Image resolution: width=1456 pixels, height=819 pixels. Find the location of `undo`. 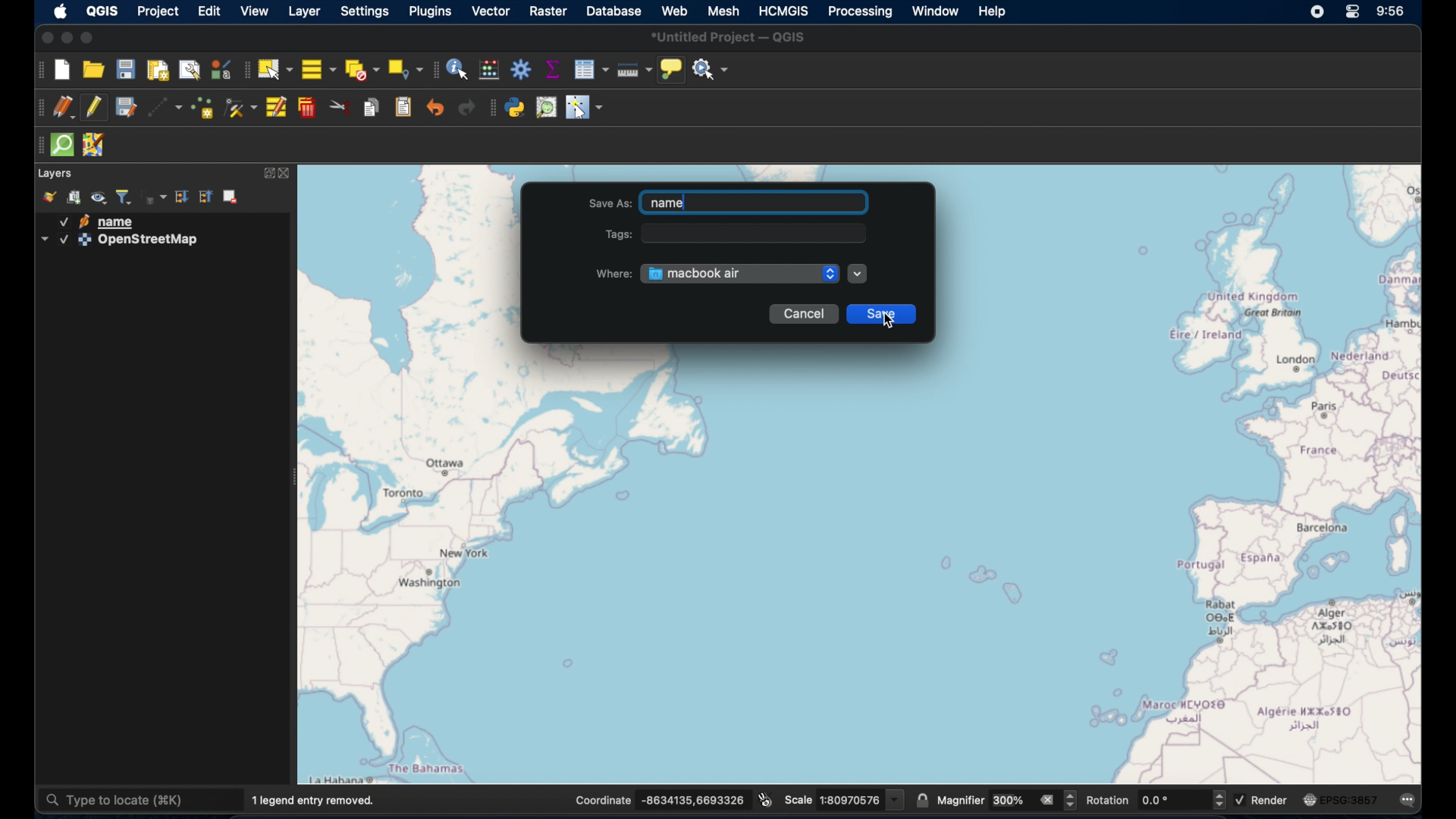

undo is located at coordinates (435, 107).